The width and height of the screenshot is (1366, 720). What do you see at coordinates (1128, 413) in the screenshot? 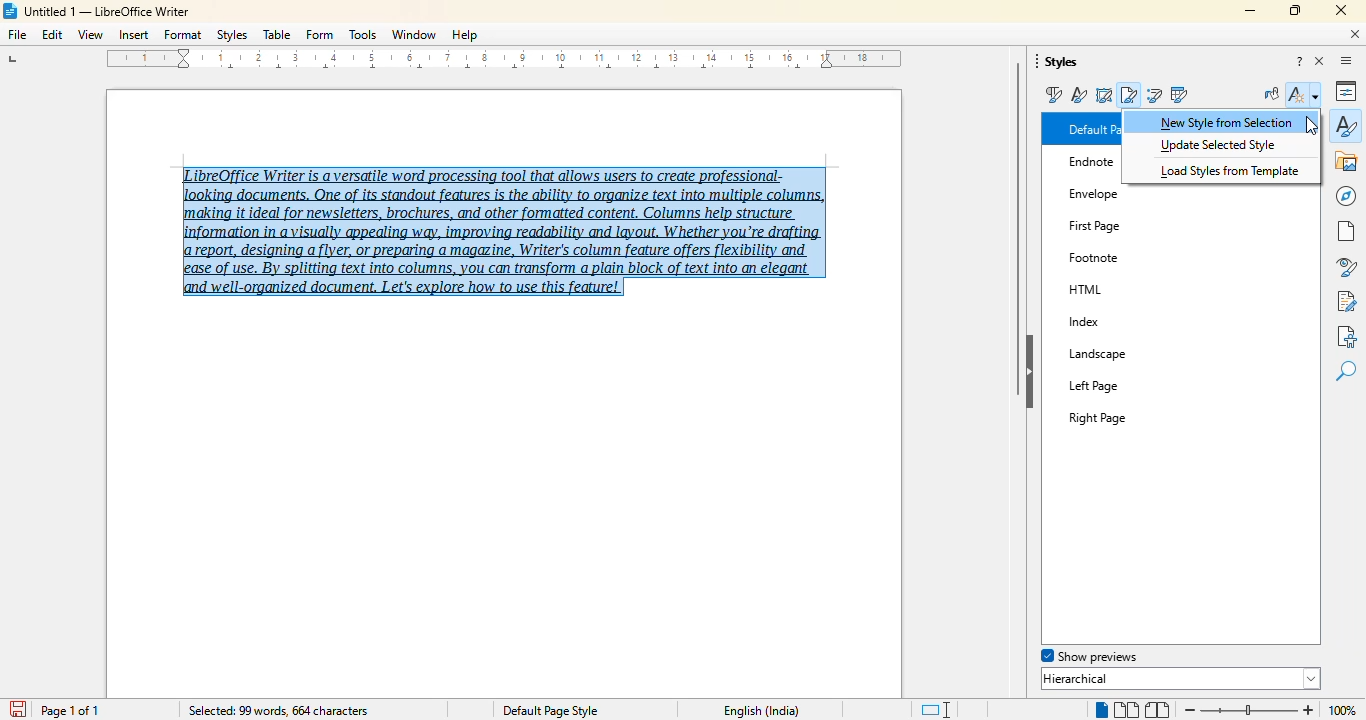
I see `Right Page` at bounding box center [1128, 413].